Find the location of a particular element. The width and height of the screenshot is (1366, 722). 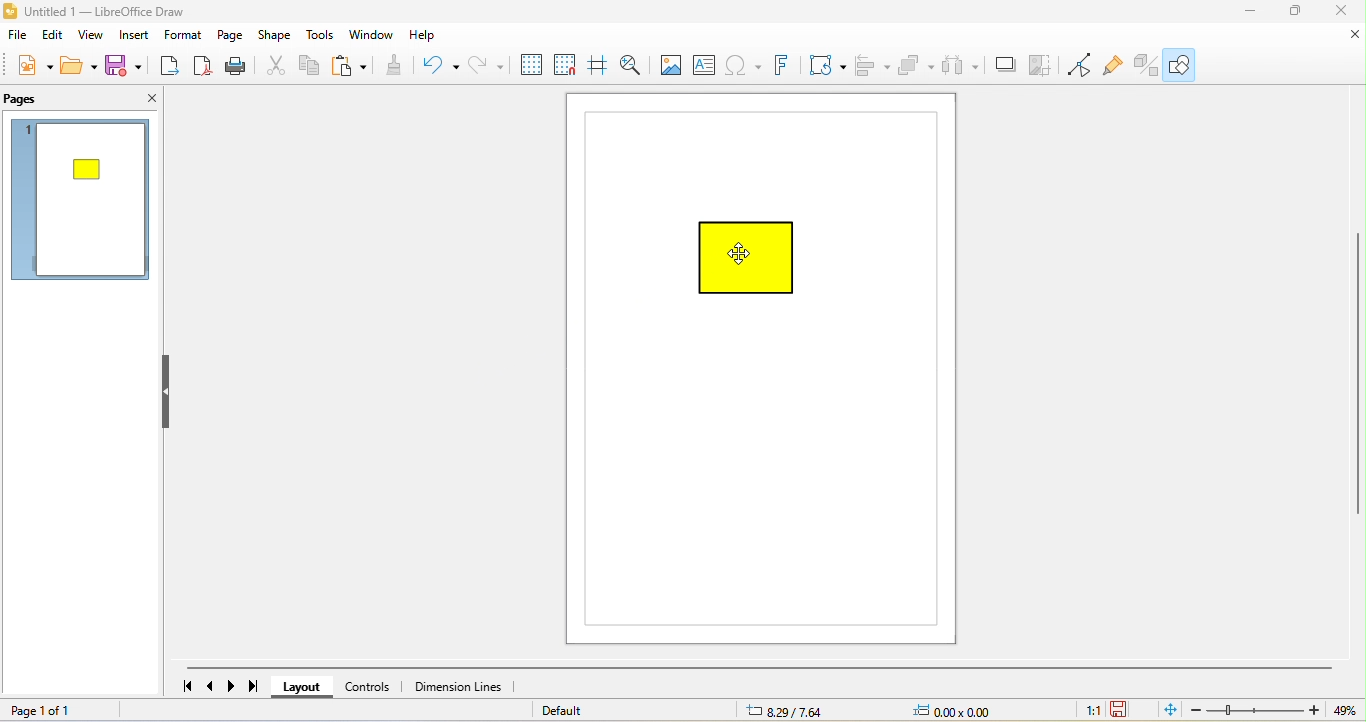

shadow is located at coordinates (1006, 64).